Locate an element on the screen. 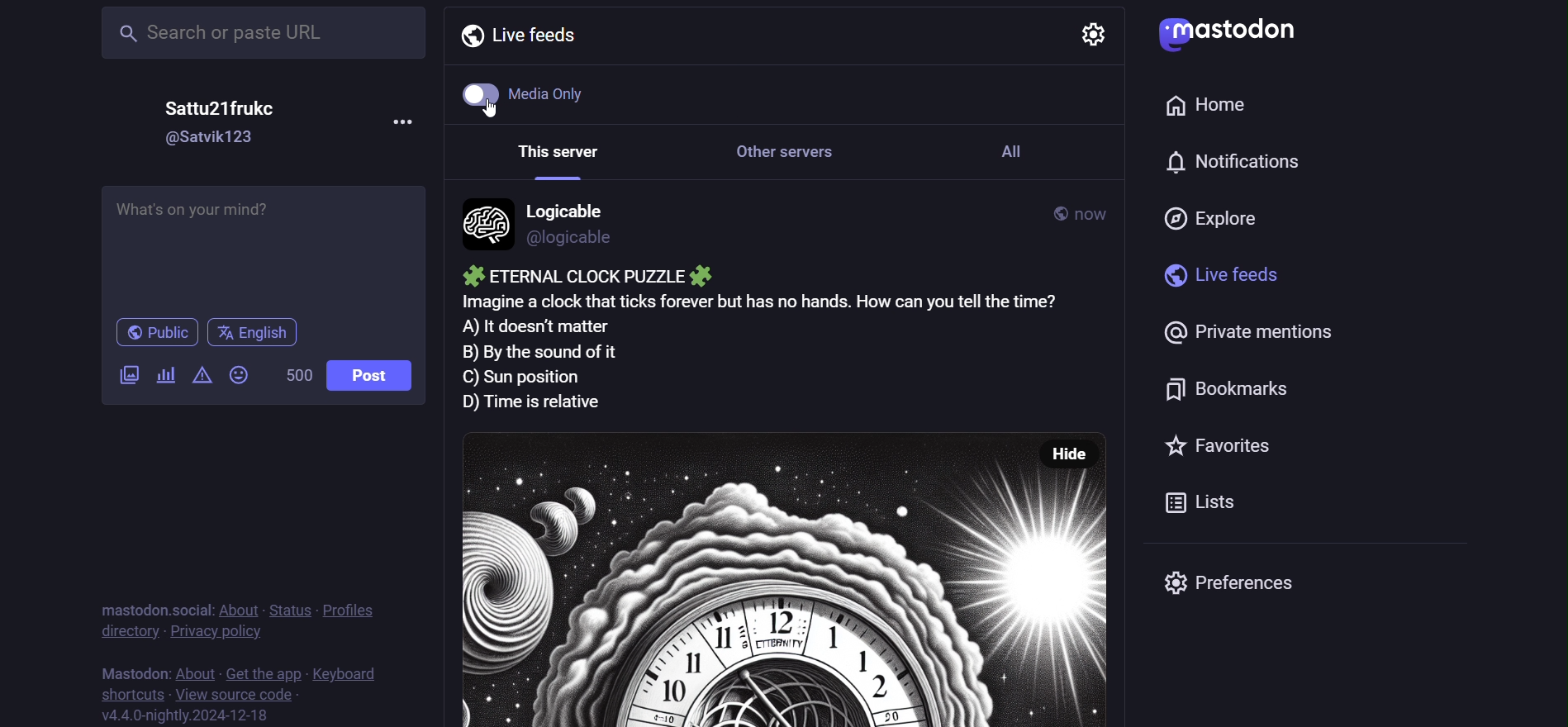  @satvik123 is located at coordinates (212, 137).